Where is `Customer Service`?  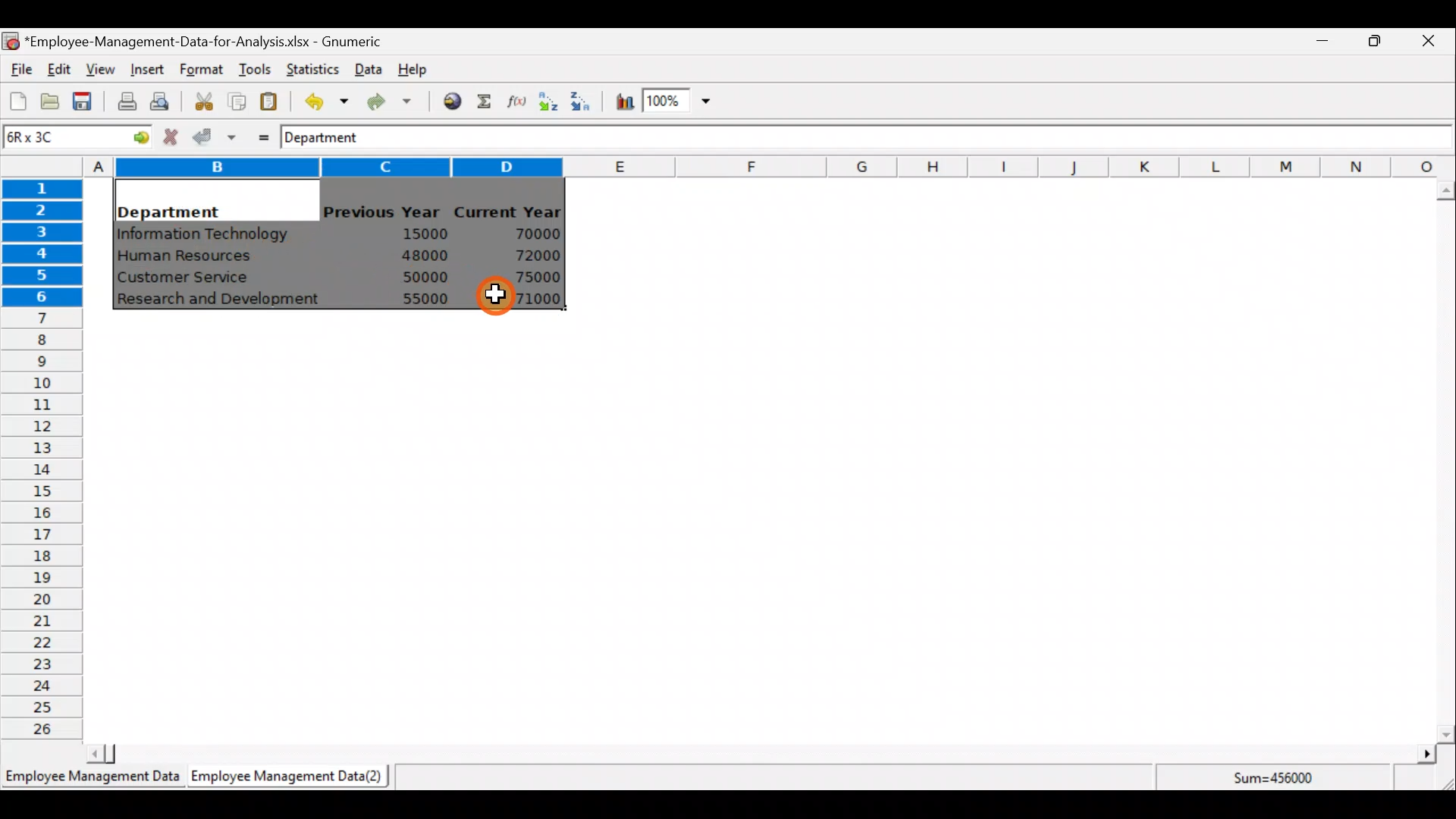 Customer Service is located at coordinates (187, 281).